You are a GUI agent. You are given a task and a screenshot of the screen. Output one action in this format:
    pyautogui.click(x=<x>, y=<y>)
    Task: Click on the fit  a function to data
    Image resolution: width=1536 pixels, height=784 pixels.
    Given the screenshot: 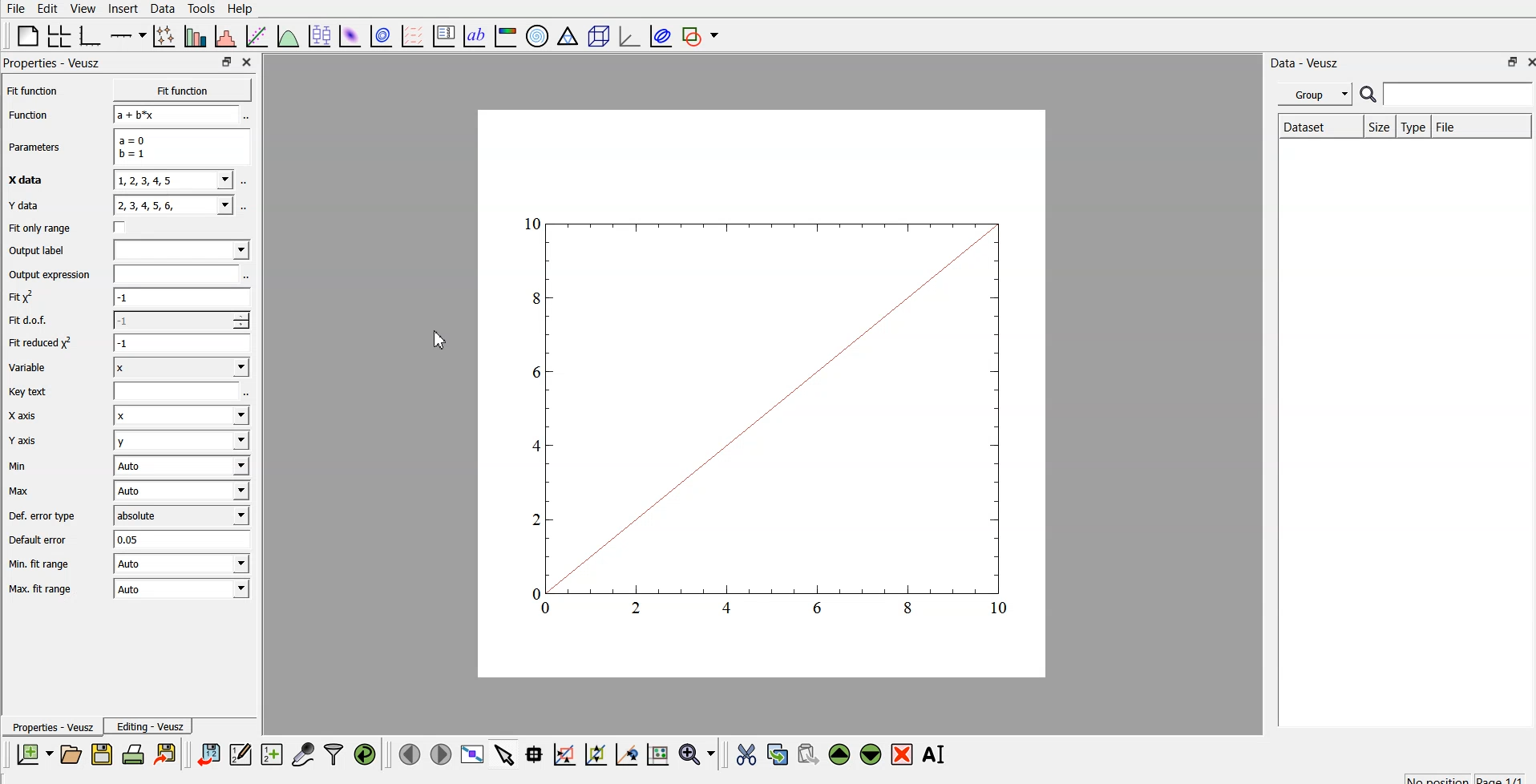 What is the action you would take?
    pyautogui.click(x=256, y=38)
    